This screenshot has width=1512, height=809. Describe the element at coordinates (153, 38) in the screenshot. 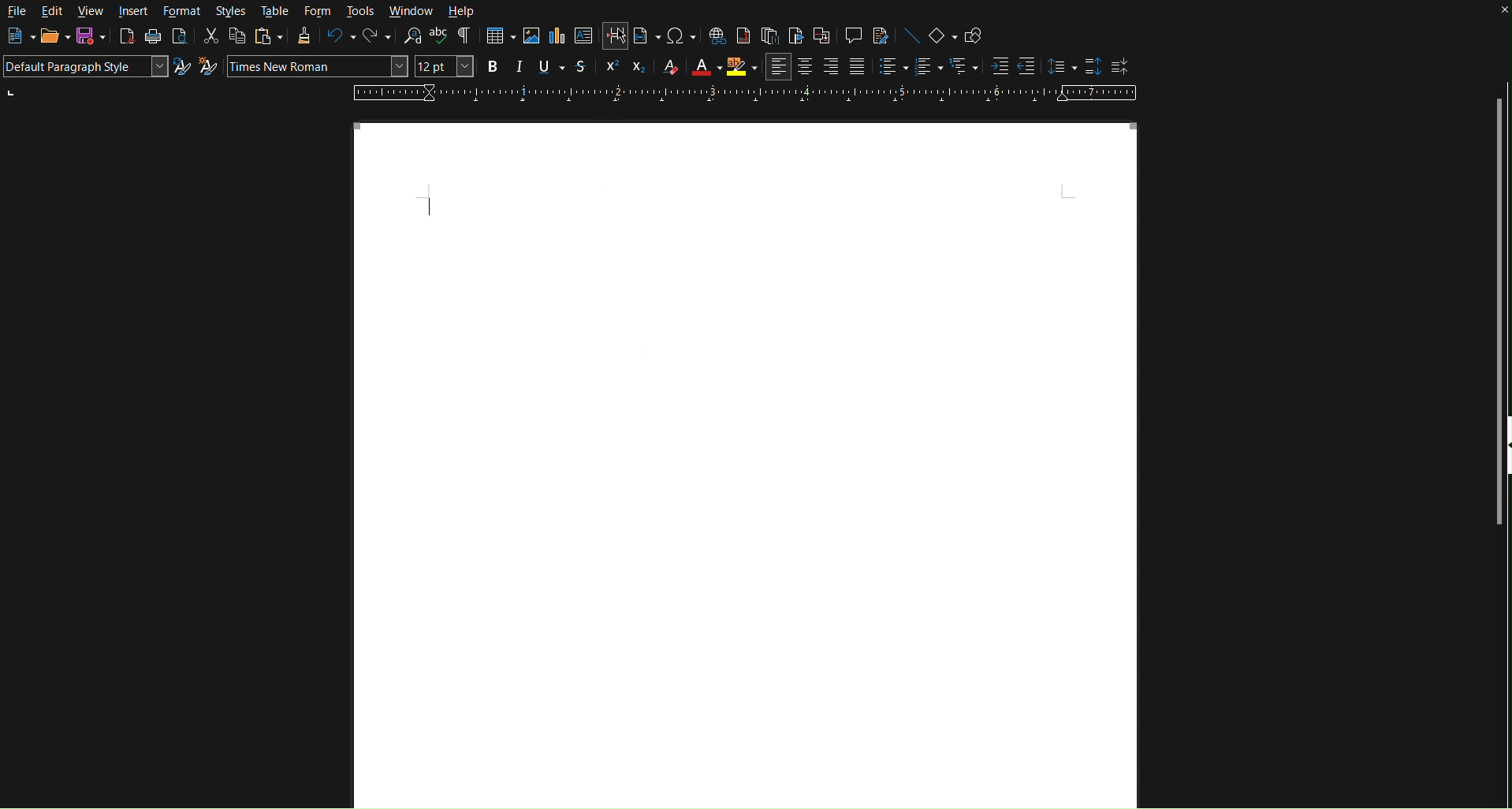

I see `Print` at that location.